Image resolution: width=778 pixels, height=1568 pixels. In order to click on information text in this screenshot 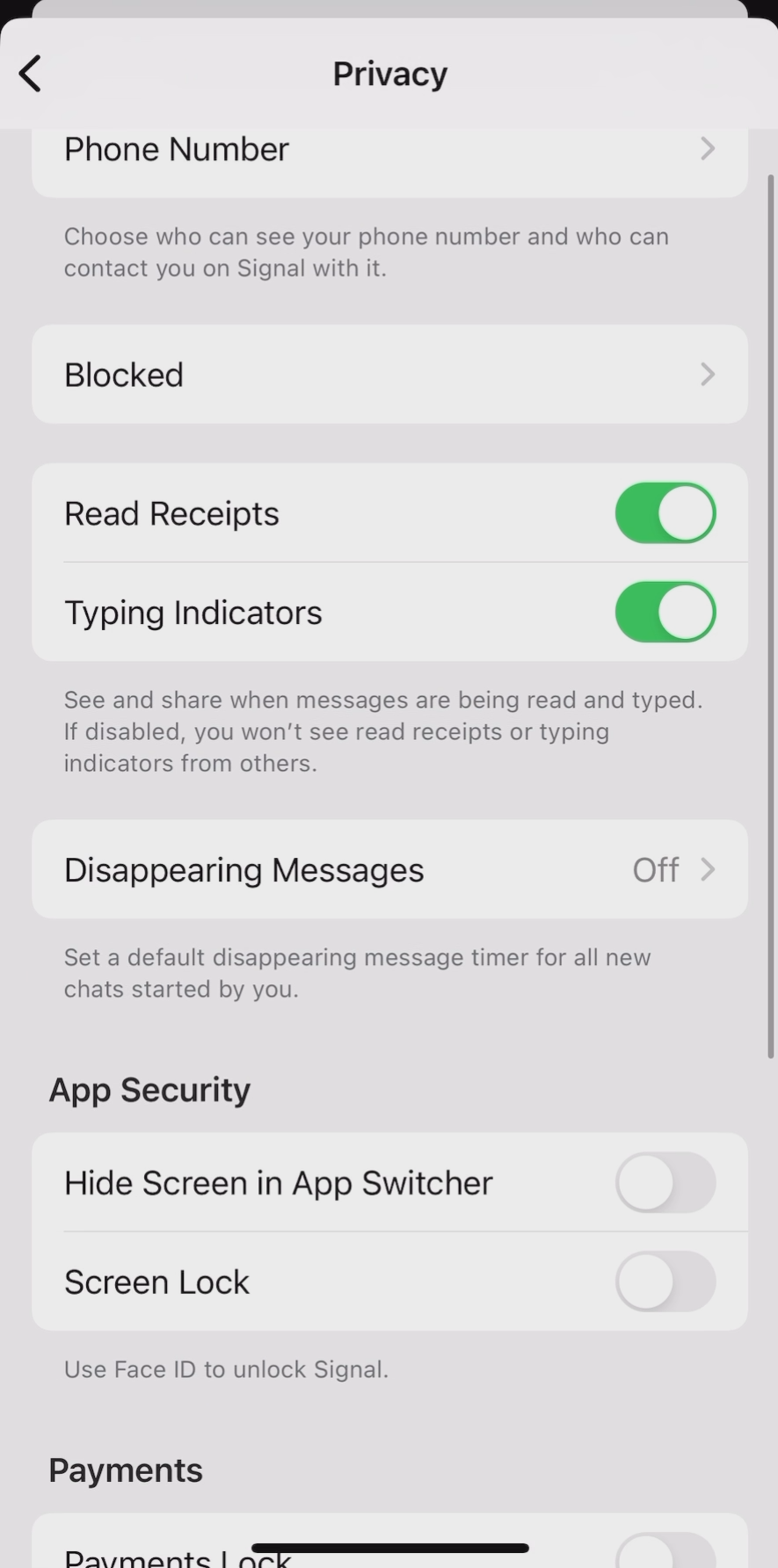, I will do `click(225, 1376)`.